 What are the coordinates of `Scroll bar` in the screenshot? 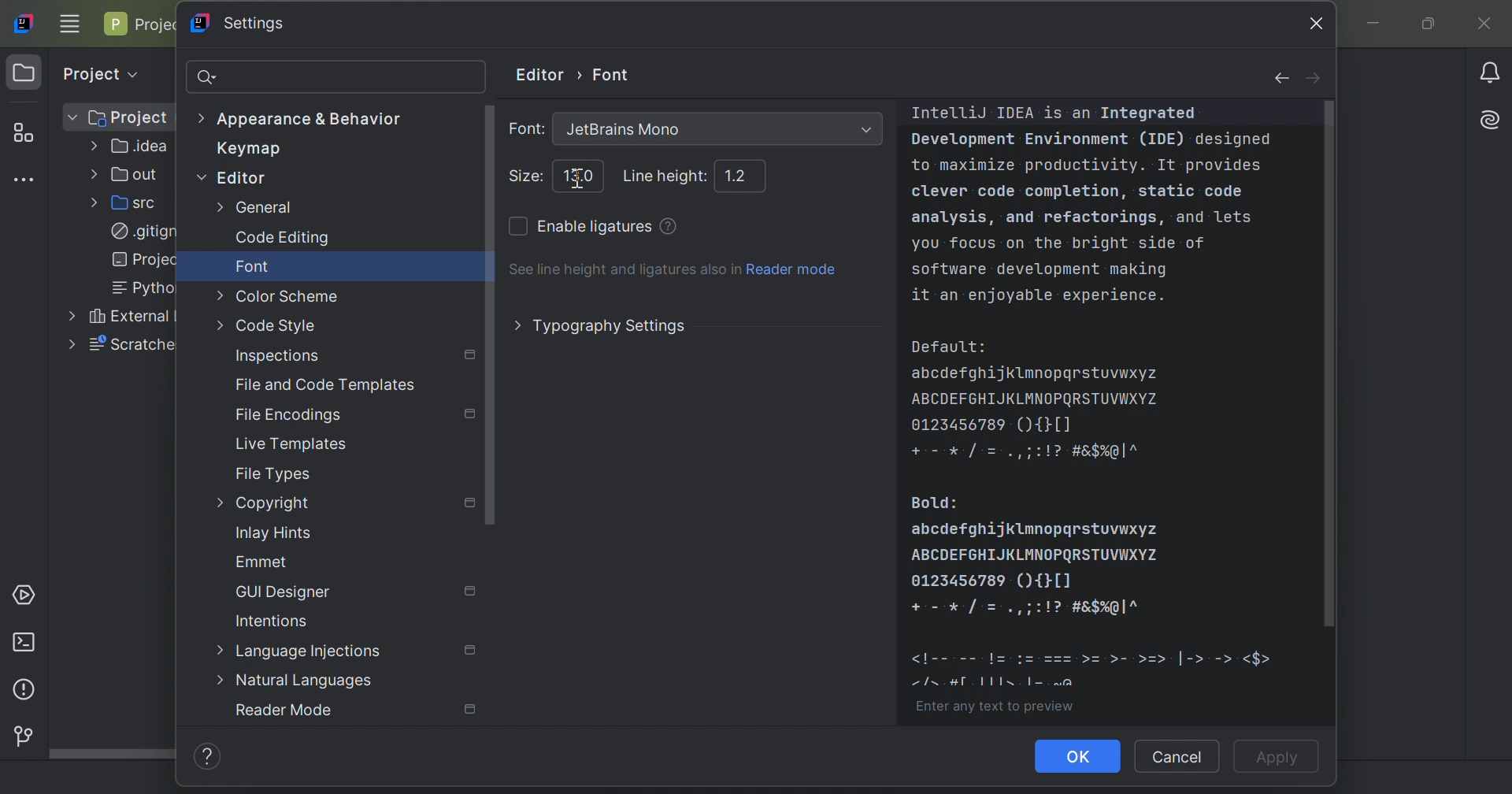 It's located at (112, 755).